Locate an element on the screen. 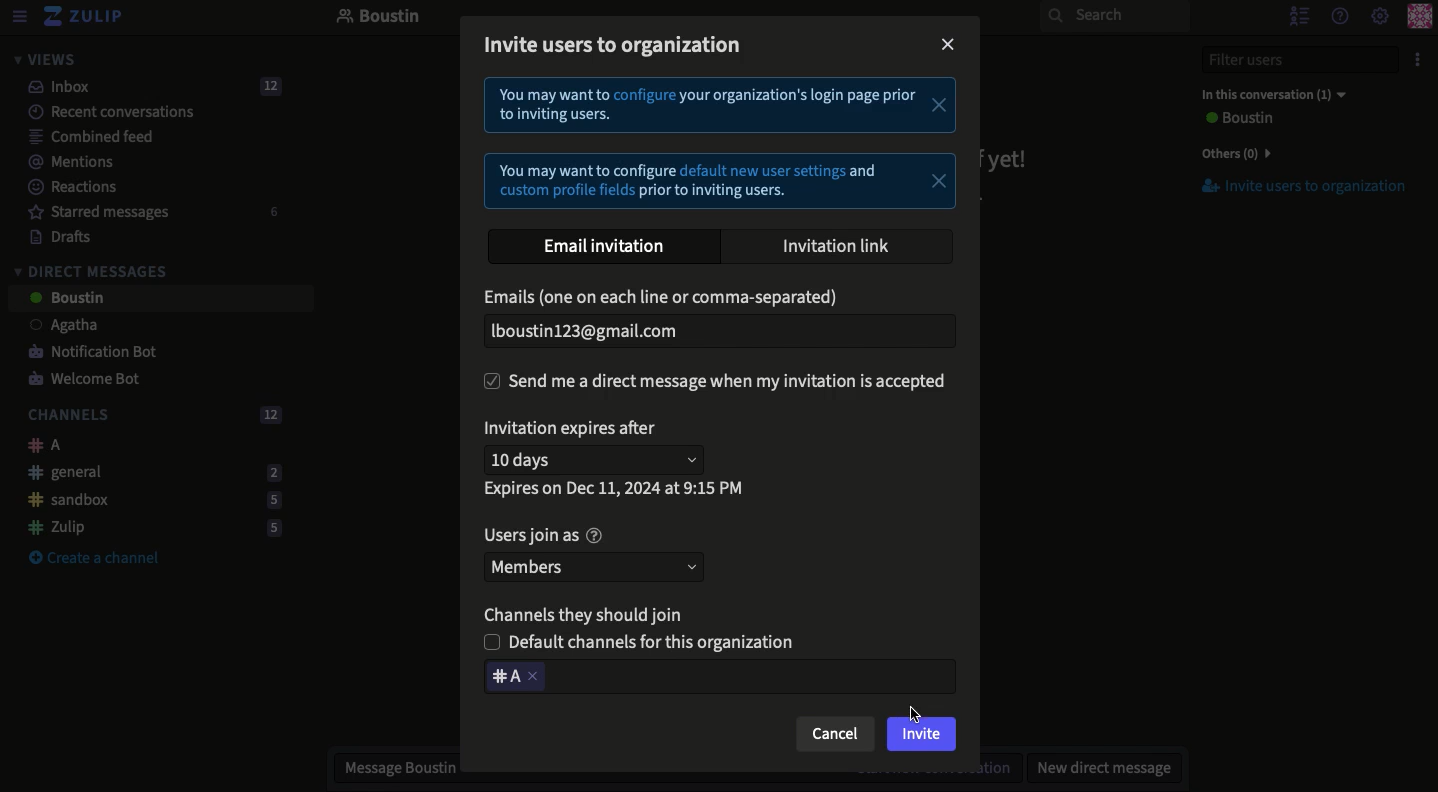  Channels is located at coordinates (150, 416).